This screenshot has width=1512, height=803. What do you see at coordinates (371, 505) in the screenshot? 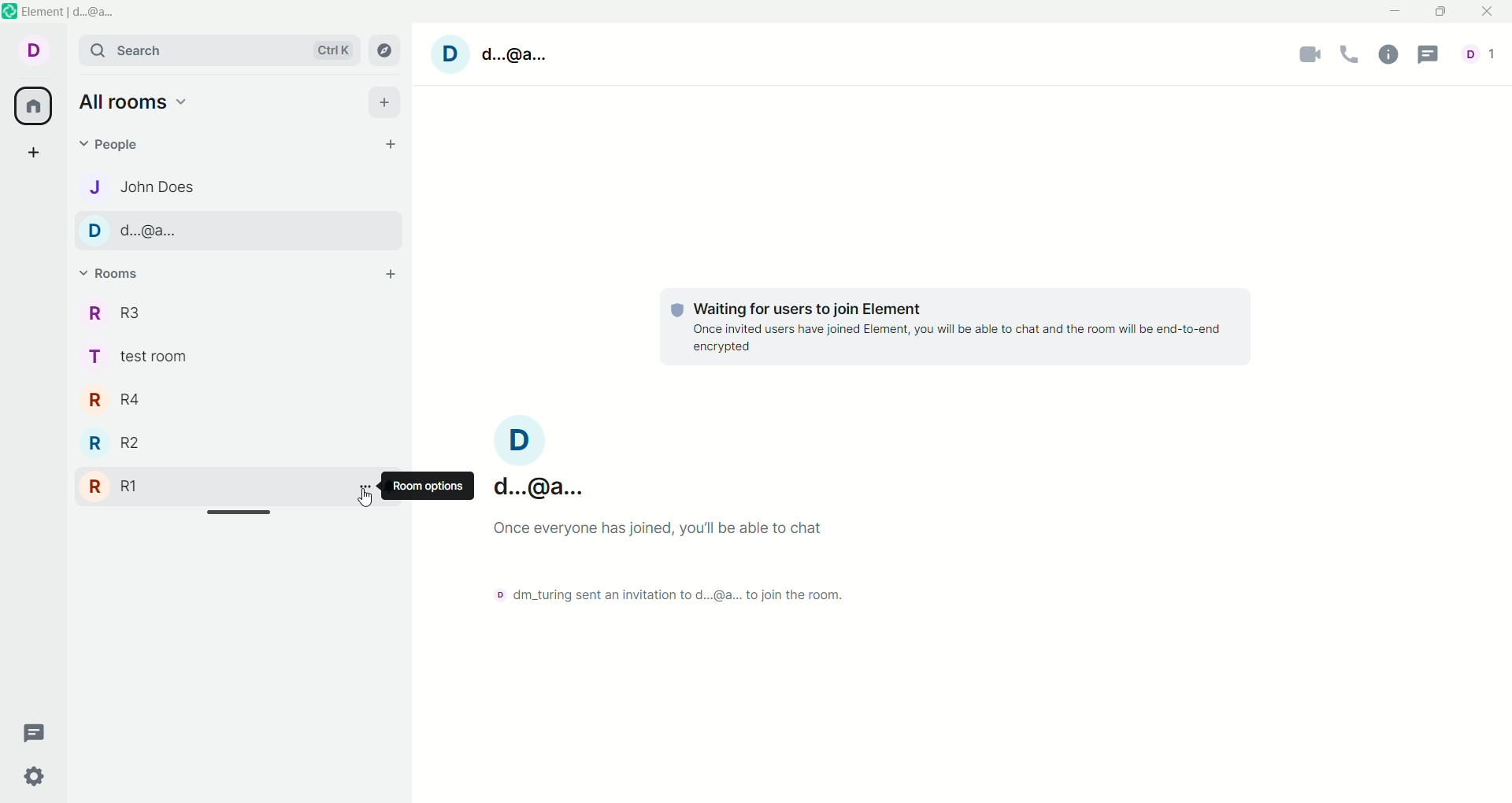
I see `cursor movement` at bounding box center [371, 505].